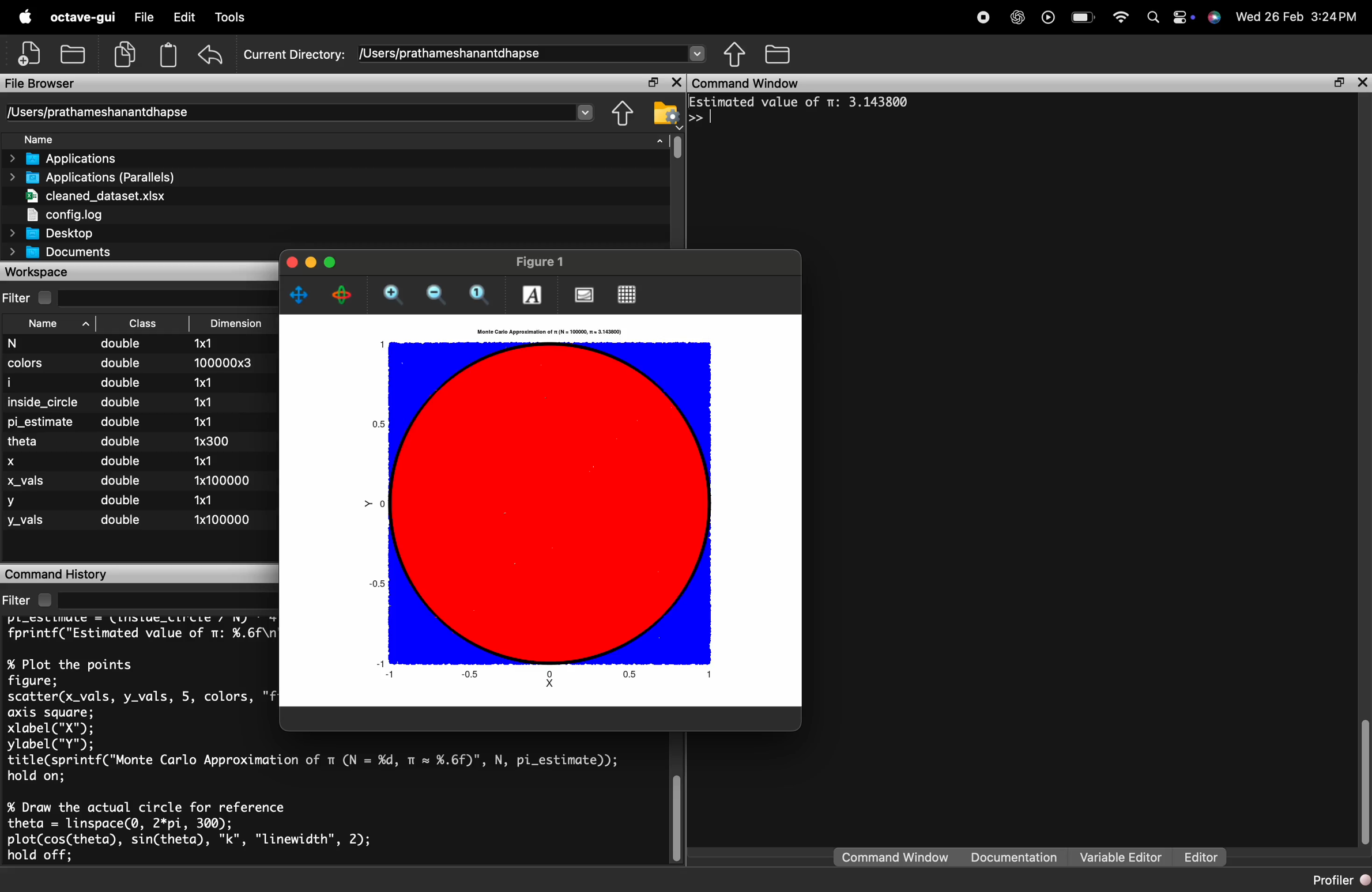  Describe the element at coordinates (679, 572) in the screenshot. I see `Close` at that location.